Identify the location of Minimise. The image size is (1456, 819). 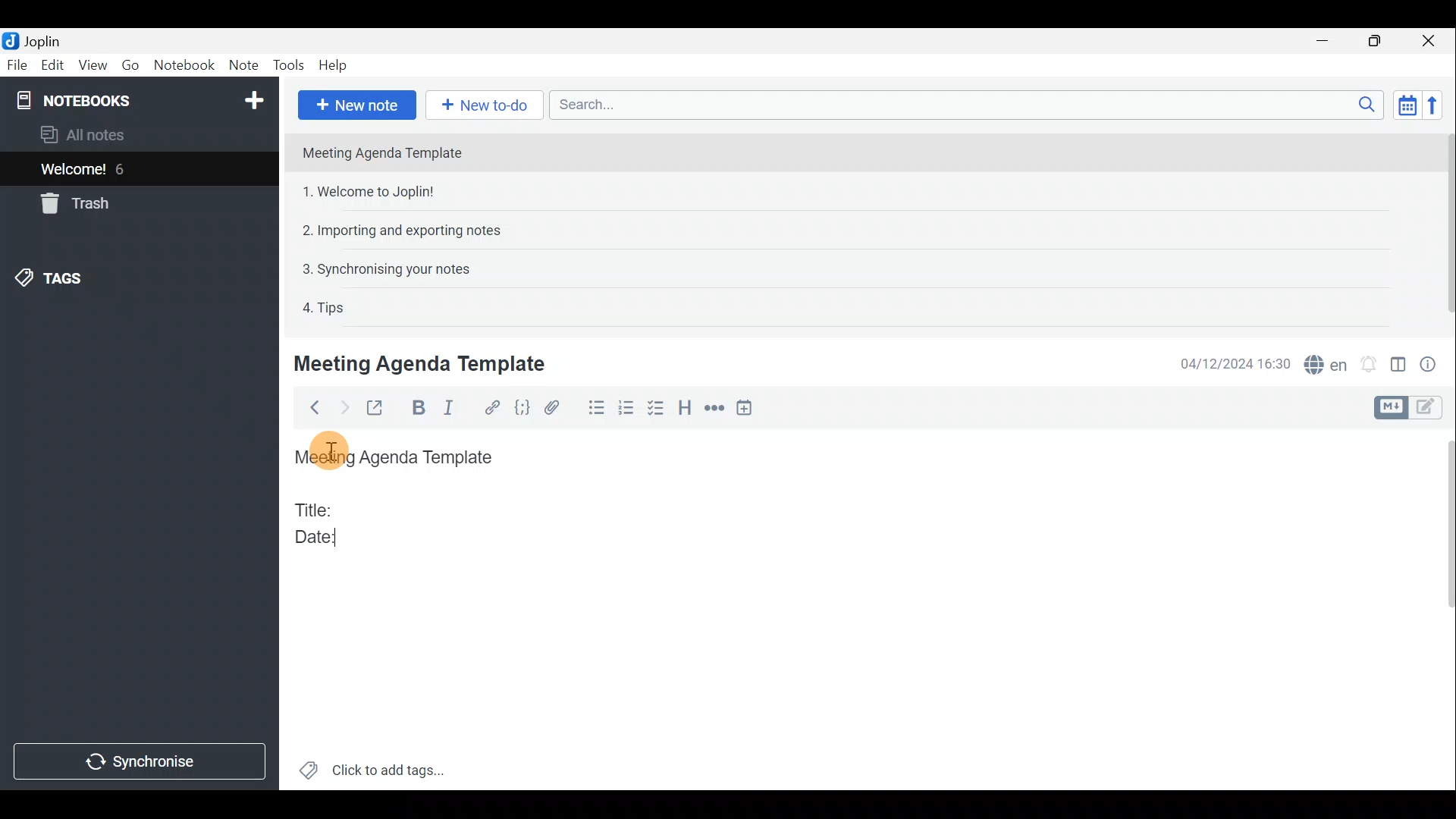
(1325, 40).